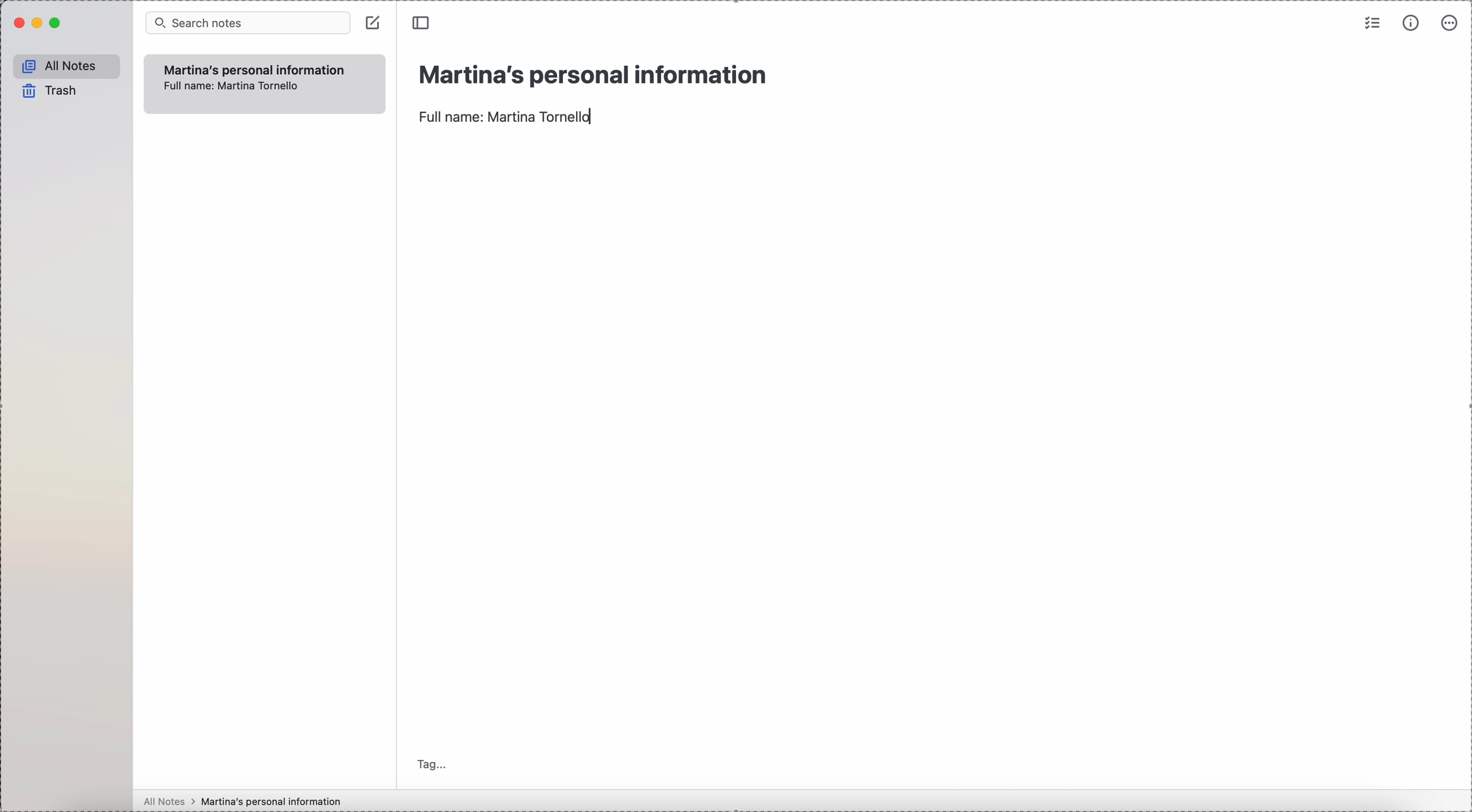  Describe the element at coordinates (374, 23) in the screenshot. I see `create note` at that location.